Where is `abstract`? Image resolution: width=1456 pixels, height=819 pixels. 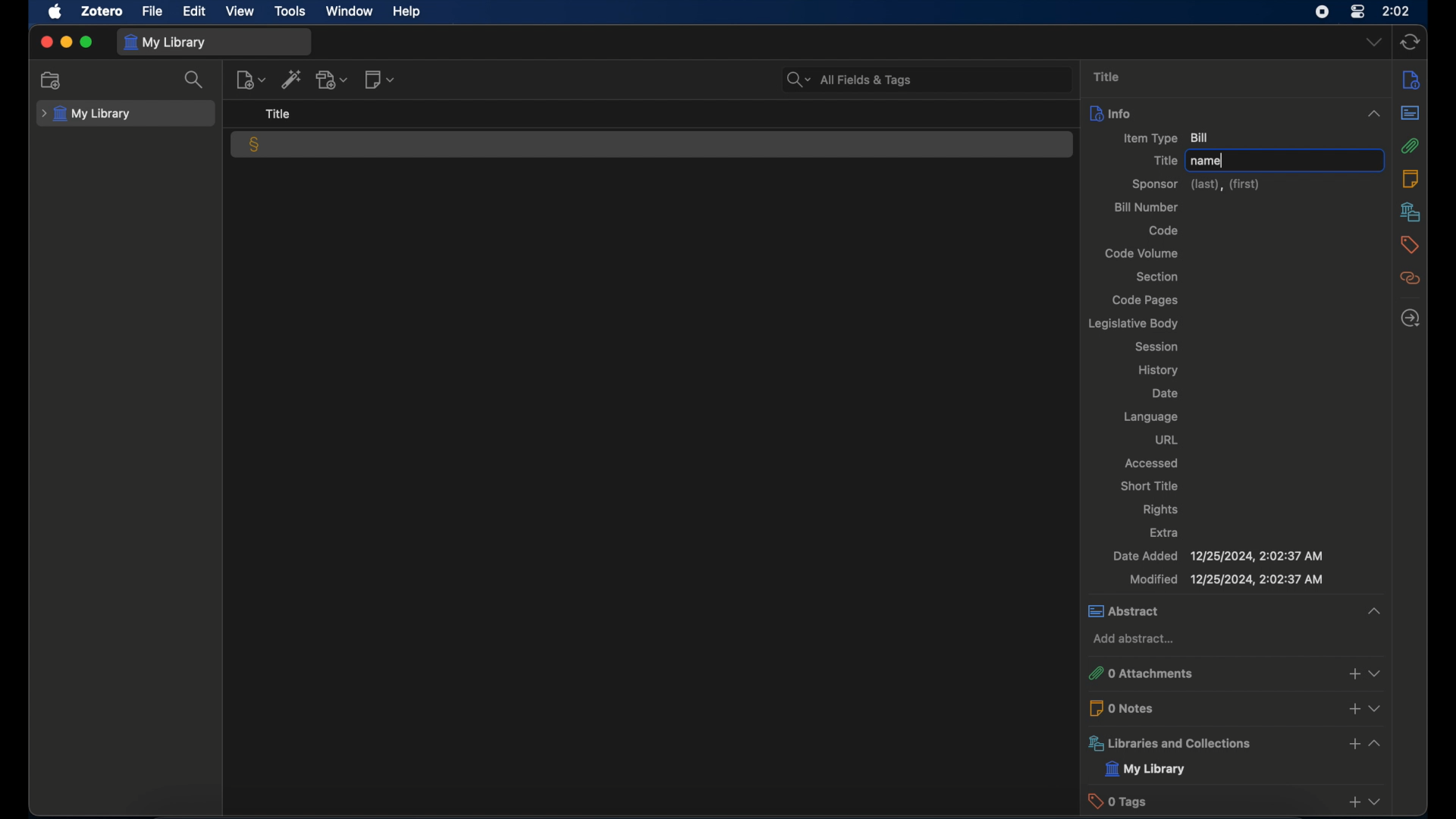
abstract is located at coordinates (1410, 112).